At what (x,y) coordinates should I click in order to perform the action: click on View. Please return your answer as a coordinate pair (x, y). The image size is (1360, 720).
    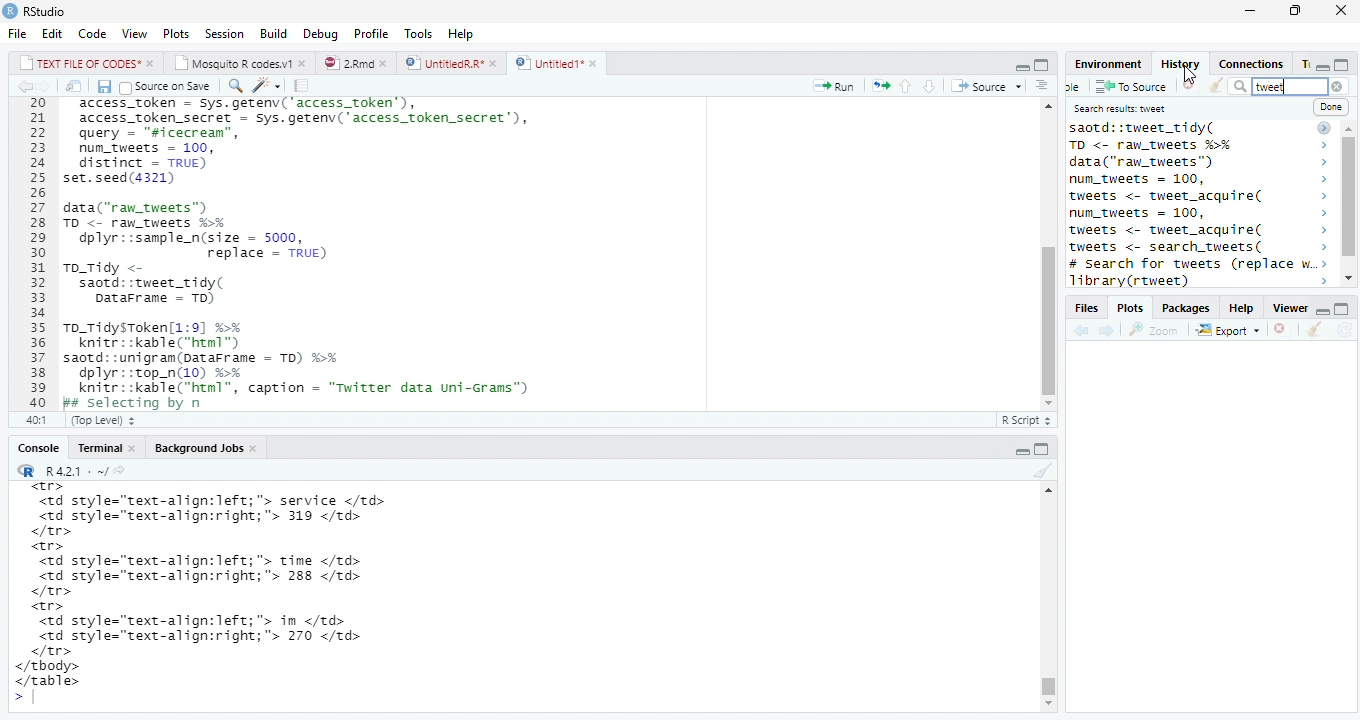
    Looking at the image, I should click on (134, 32).